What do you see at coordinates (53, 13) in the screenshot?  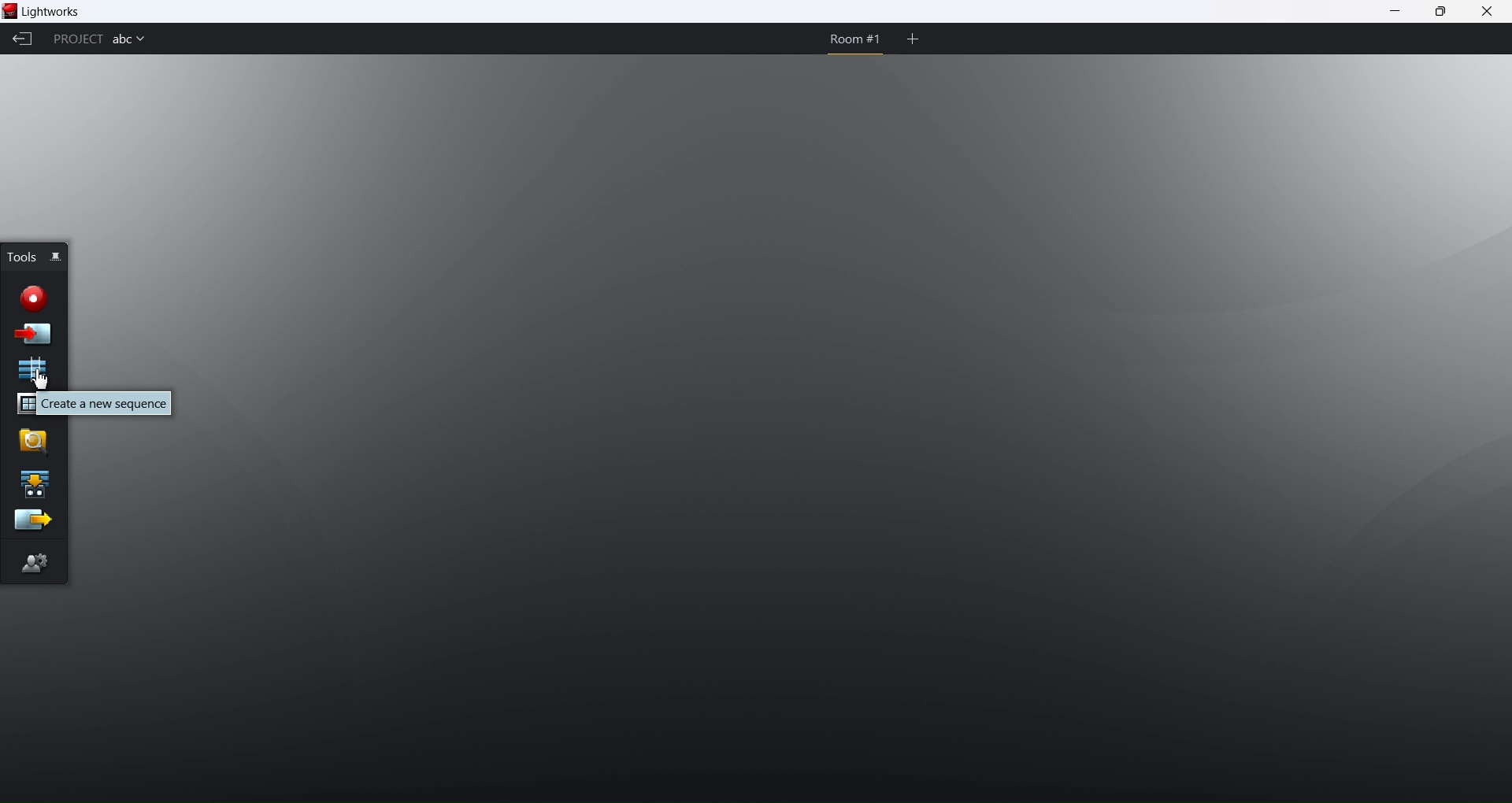 I see `lightworks` at bounding box center [53, 13].